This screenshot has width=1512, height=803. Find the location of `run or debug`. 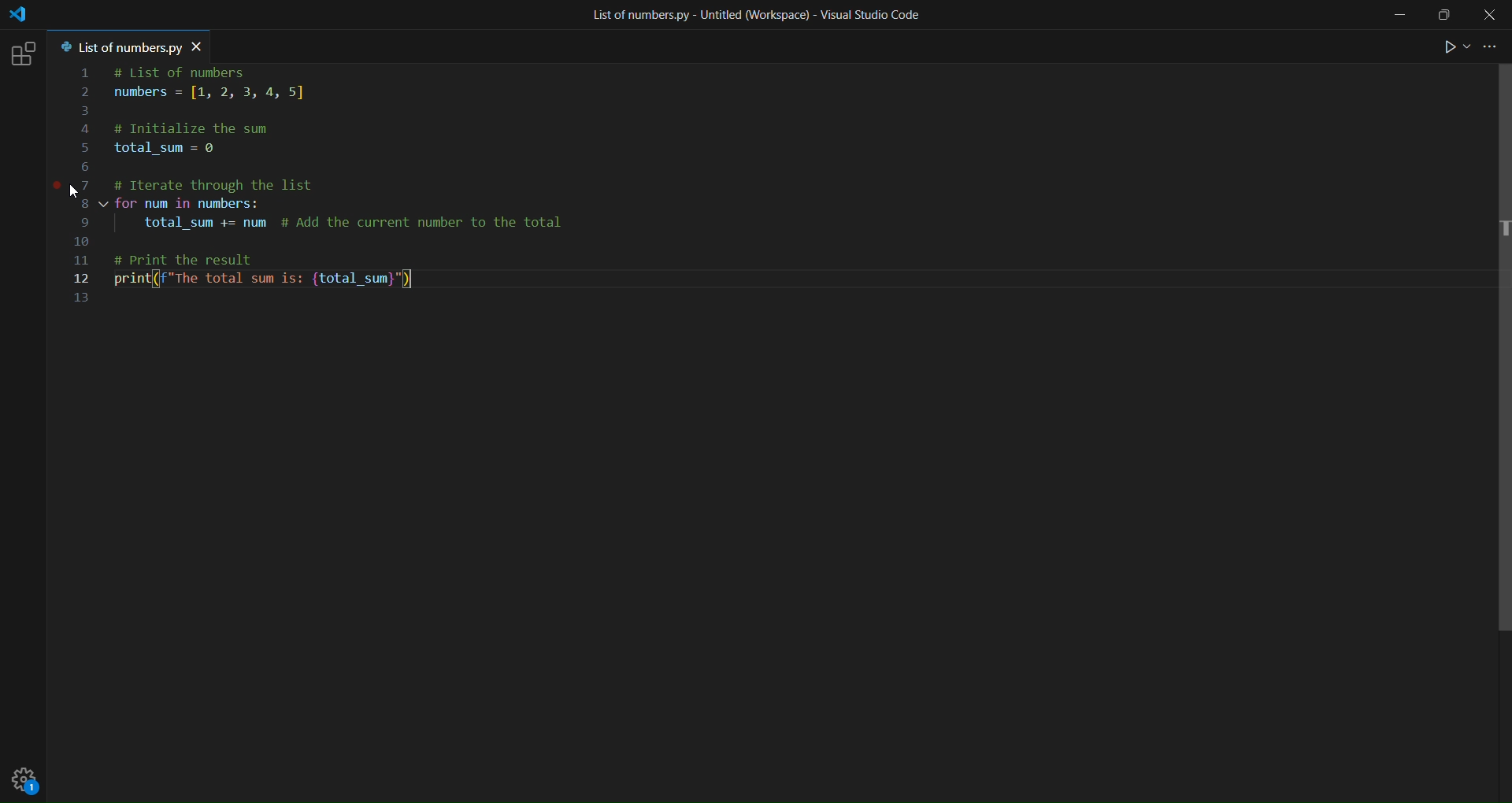

run or debug is located at coordinates (1450, 49).